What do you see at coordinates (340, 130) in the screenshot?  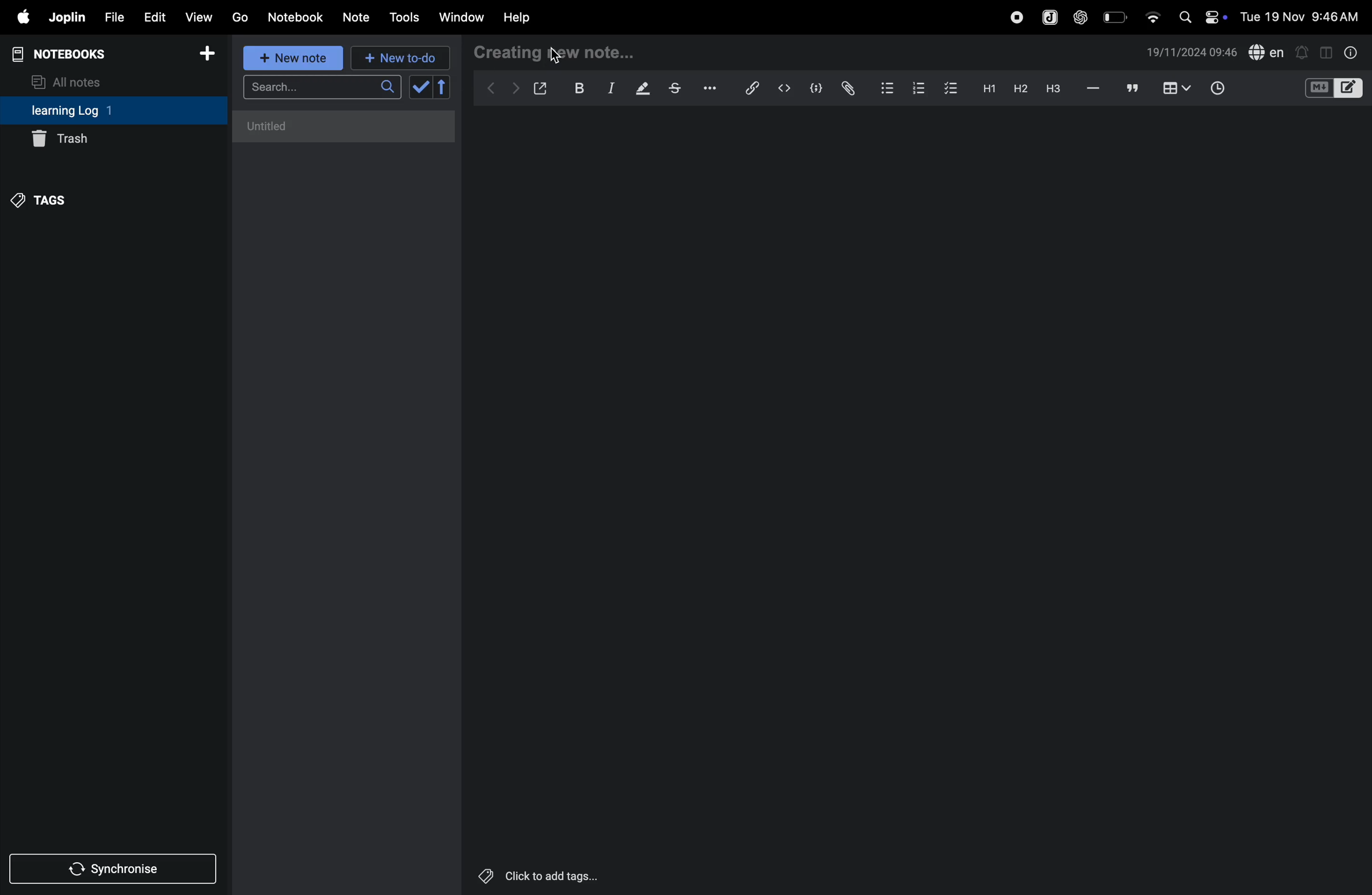 I see `no notes here` at bounding box center [340, 130].